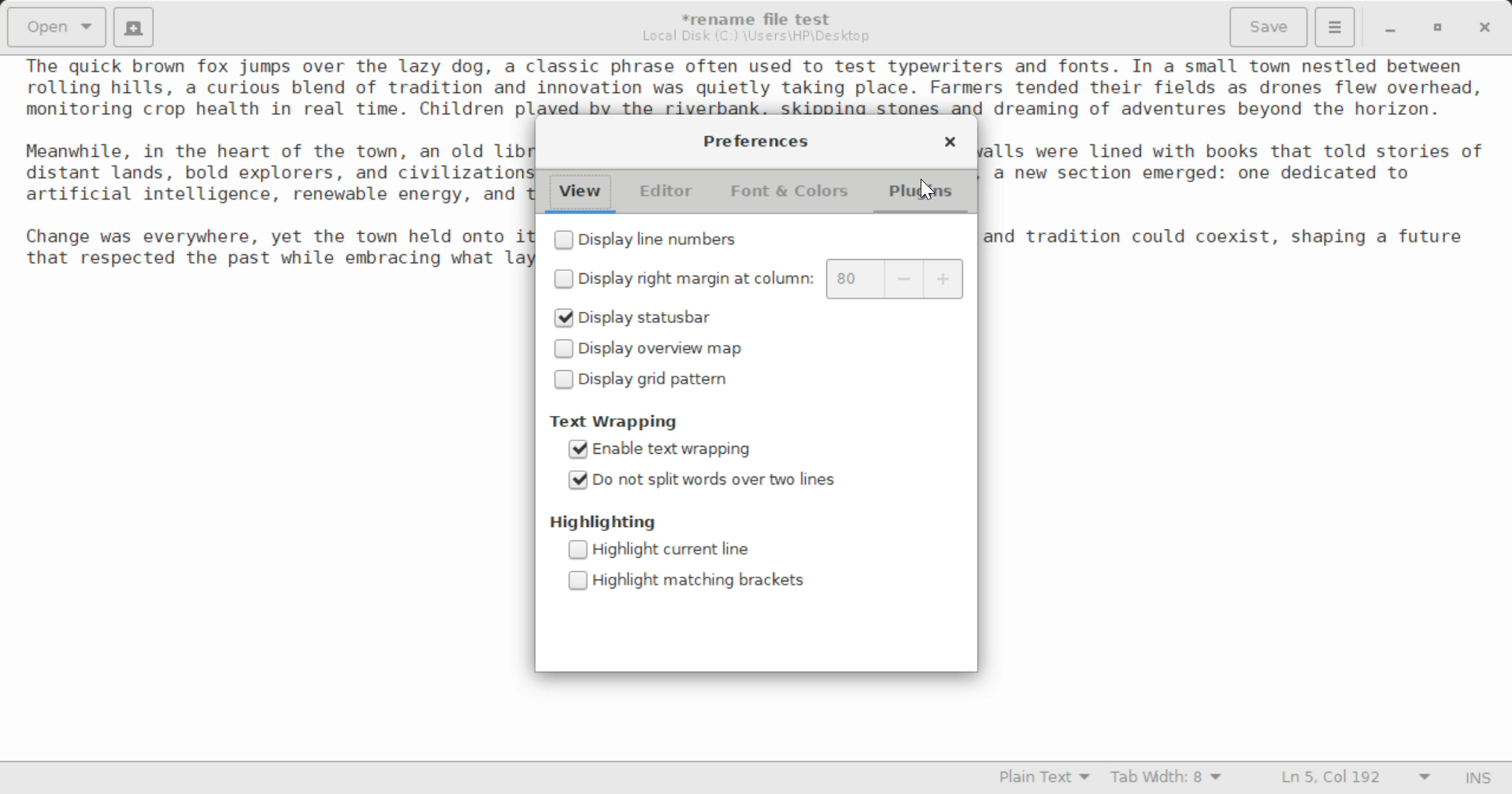  Describe the element at coordinates (928, 188) in the screenshot. I see `Cursor Position` at that location.